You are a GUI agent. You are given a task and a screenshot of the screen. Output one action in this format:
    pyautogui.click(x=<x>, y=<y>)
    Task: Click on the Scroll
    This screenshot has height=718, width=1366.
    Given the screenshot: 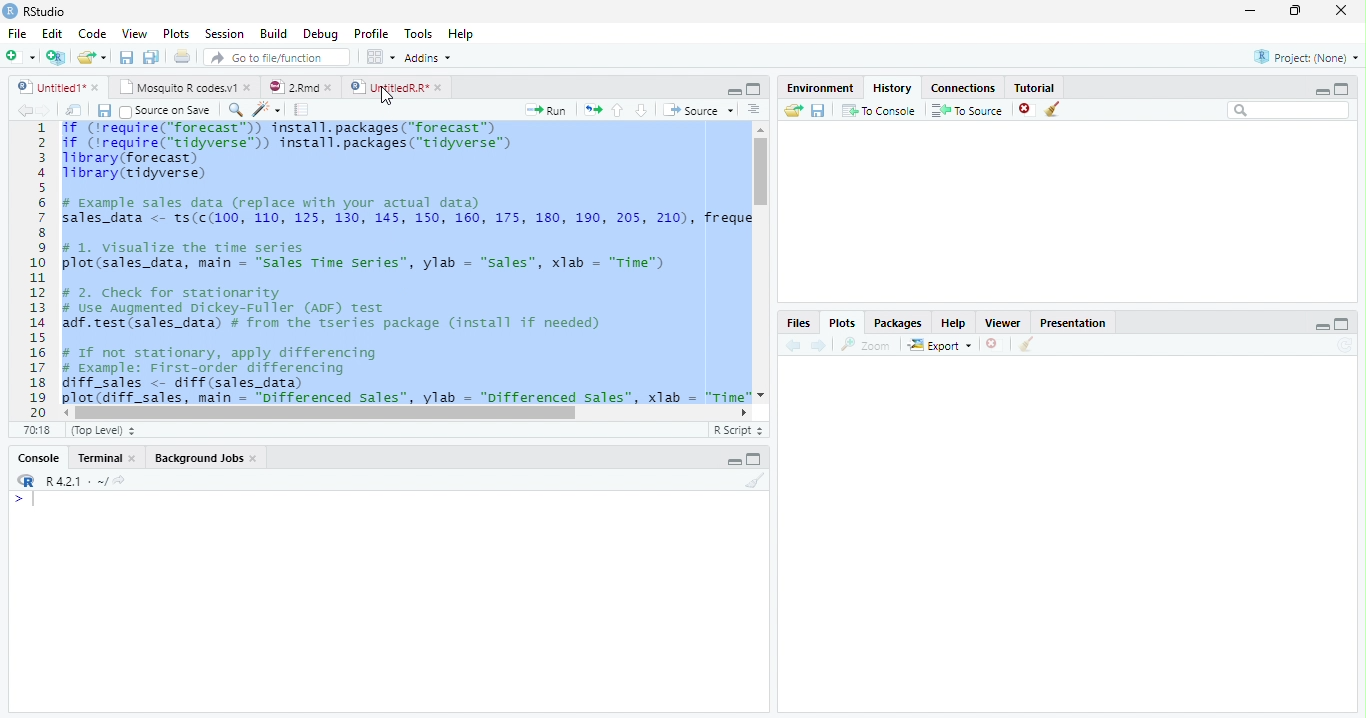 What is the action you would take?
    pyautogui.click(x=405, y=414)
    